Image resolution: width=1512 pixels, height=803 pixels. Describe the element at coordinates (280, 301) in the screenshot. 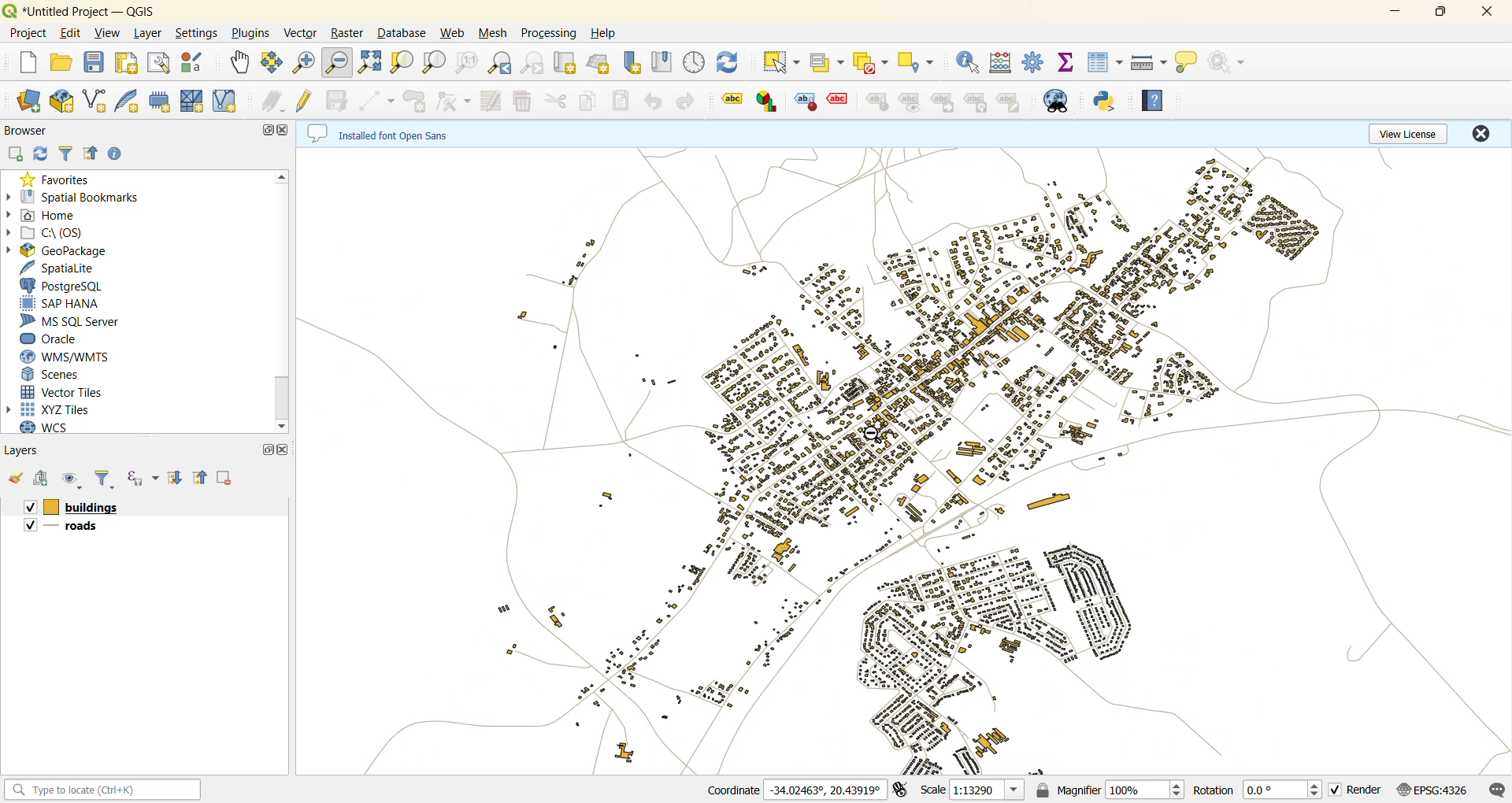

I see `vertical scroll bar` at that location.